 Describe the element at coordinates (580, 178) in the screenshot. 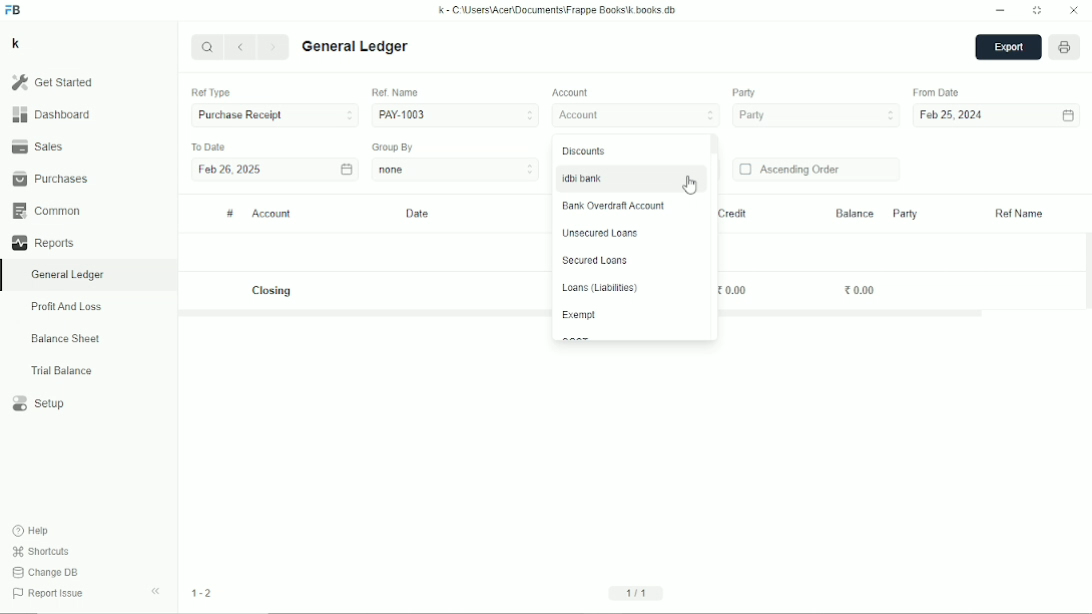

I see `idbi bank` at that location.